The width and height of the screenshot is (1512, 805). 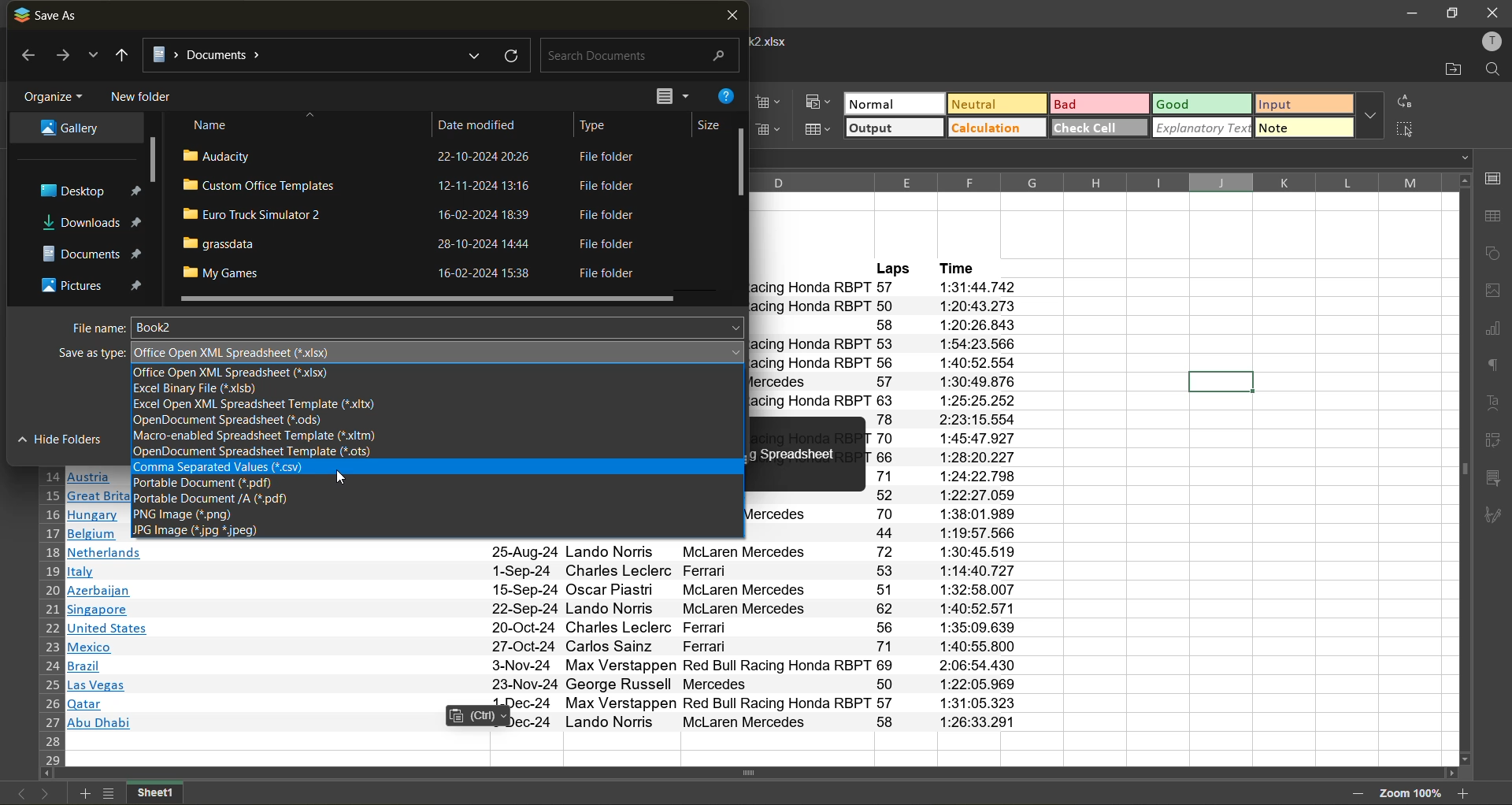 What do you see at coordinates (1100, 128) in the screenshot?
I see `check cell` at bounding box center [1100, 128].